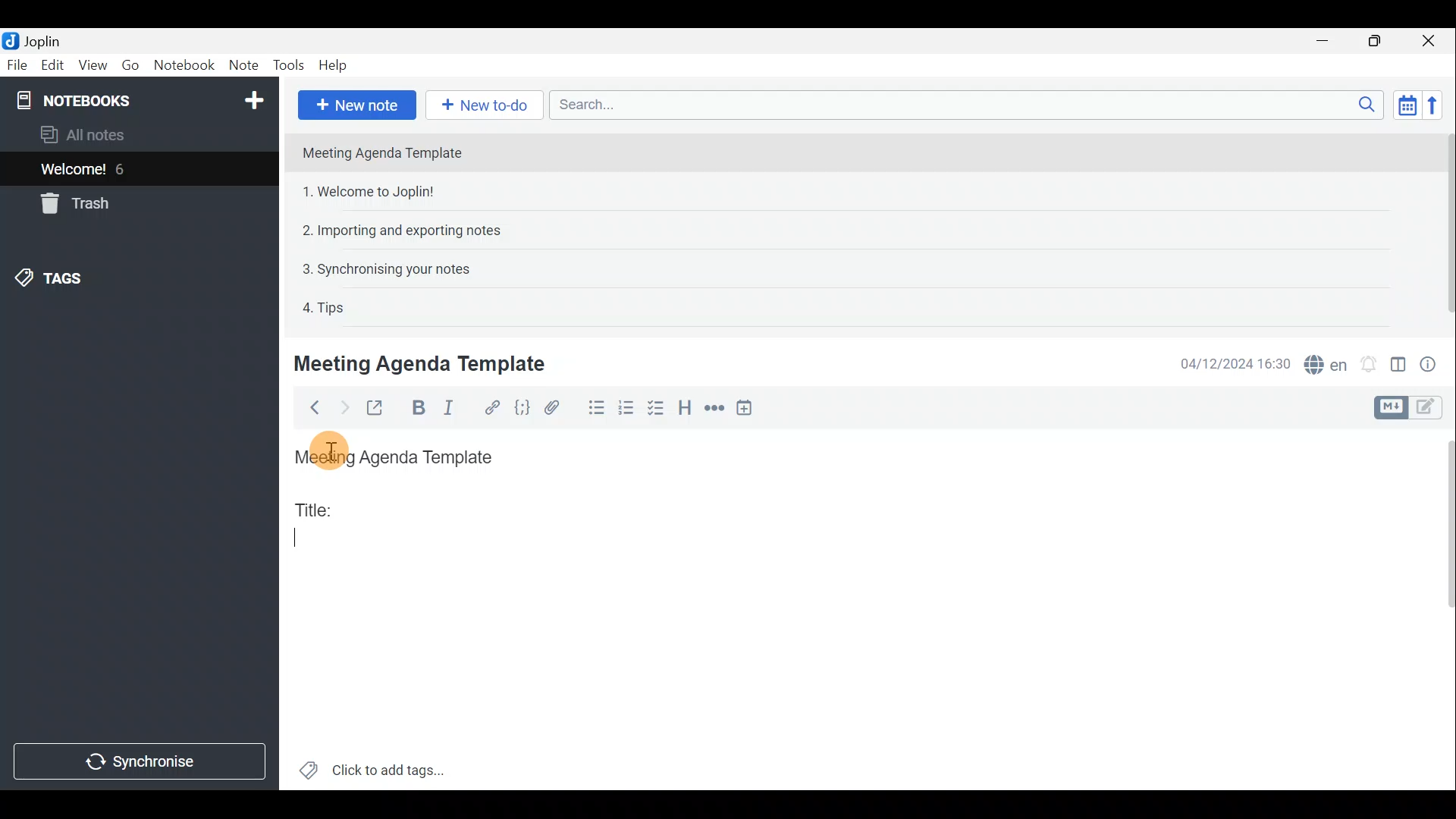 The width and height of the screenshot is (1456, 819). Describe the element at coordinates (962, 104) in the screenshot. I see `Search bar` at that location.